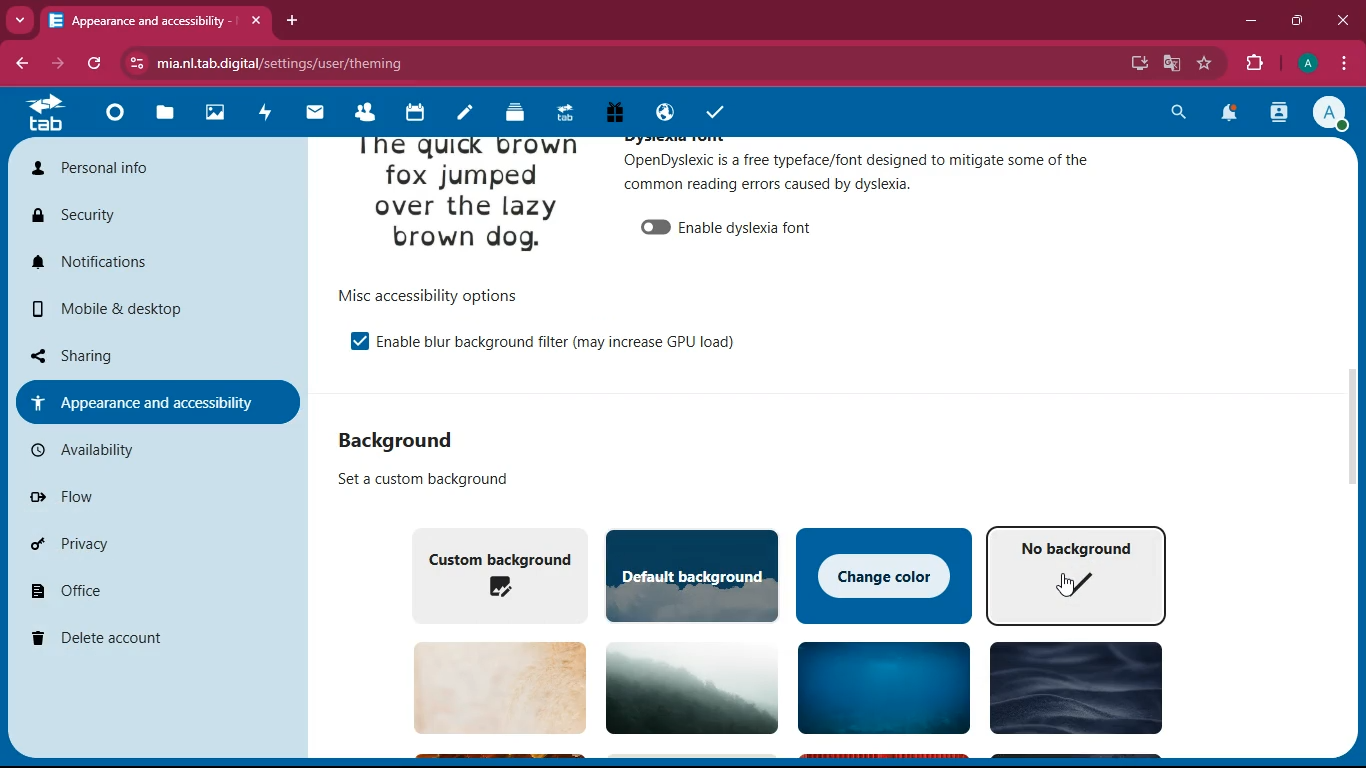 Image resolution: width=1366 pixels, height=768 pixels. What do you see at coordinates (1300, 19) in the screenshot?
I see `maximize` at bounding box center [1300, 19].